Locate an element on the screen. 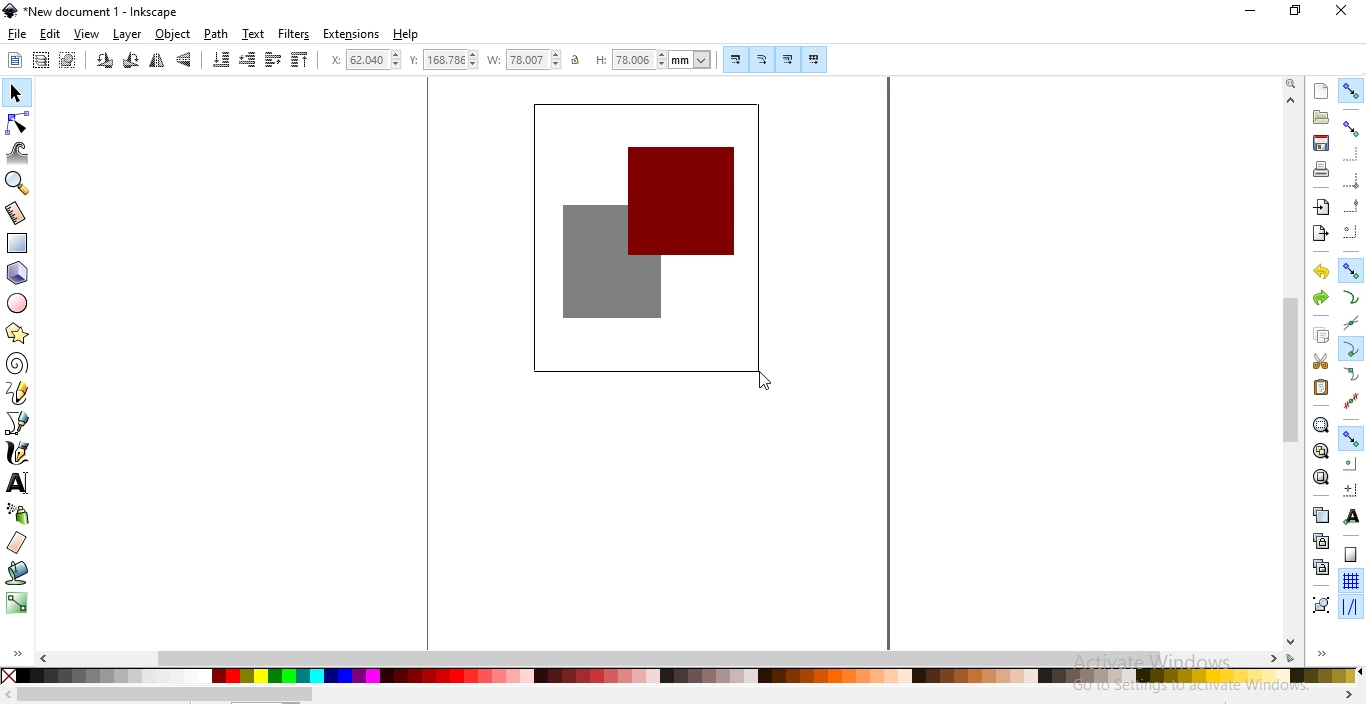 The width and height of the screenshot is (1366, 704). image is located at coordinates (651, 242).